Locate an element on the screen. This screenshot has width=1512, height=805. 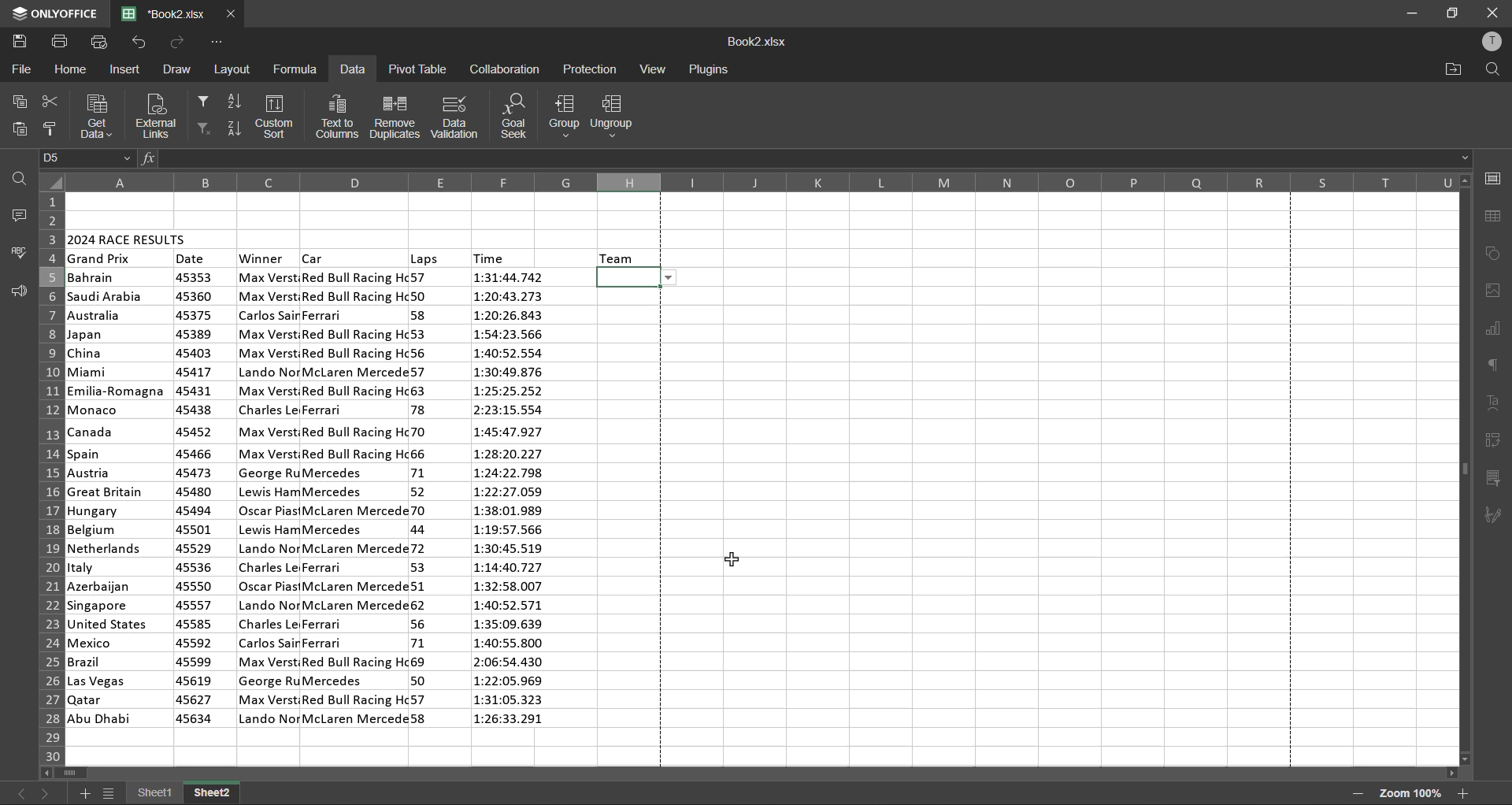
add sheet is located at coordinates (84, 793).